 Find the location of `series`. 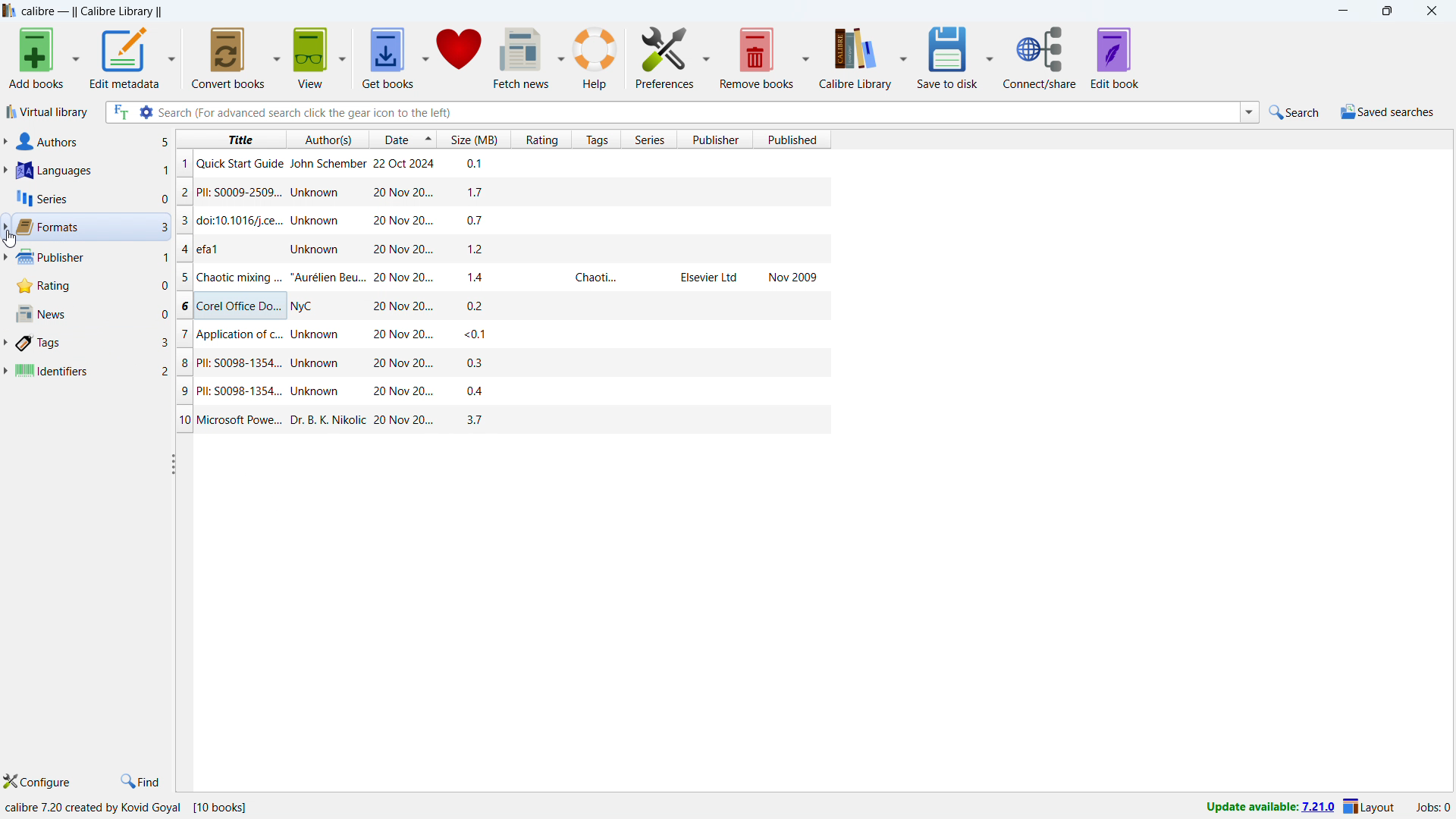

series is located at coordinates (91, 199).